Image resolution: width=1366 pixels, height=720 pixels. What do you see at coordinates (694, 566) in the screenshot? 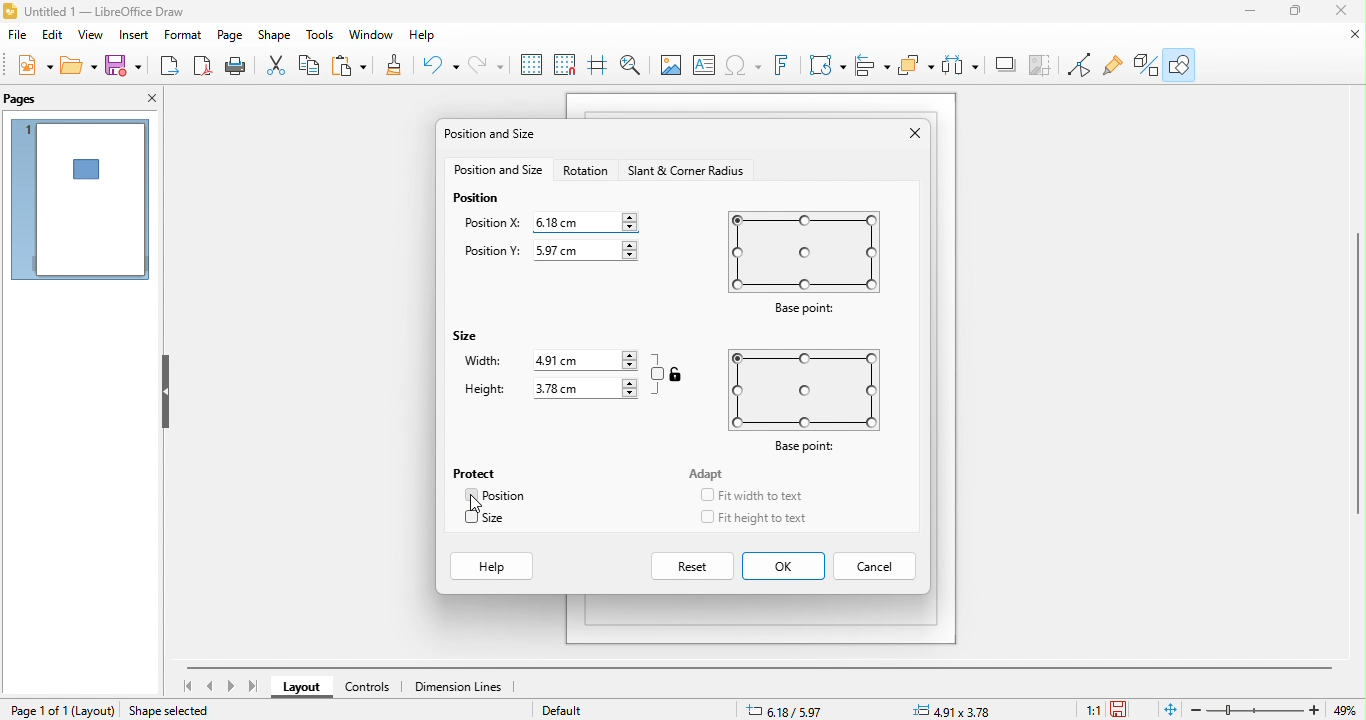
I see `reset` at bounding box center [694, 566].